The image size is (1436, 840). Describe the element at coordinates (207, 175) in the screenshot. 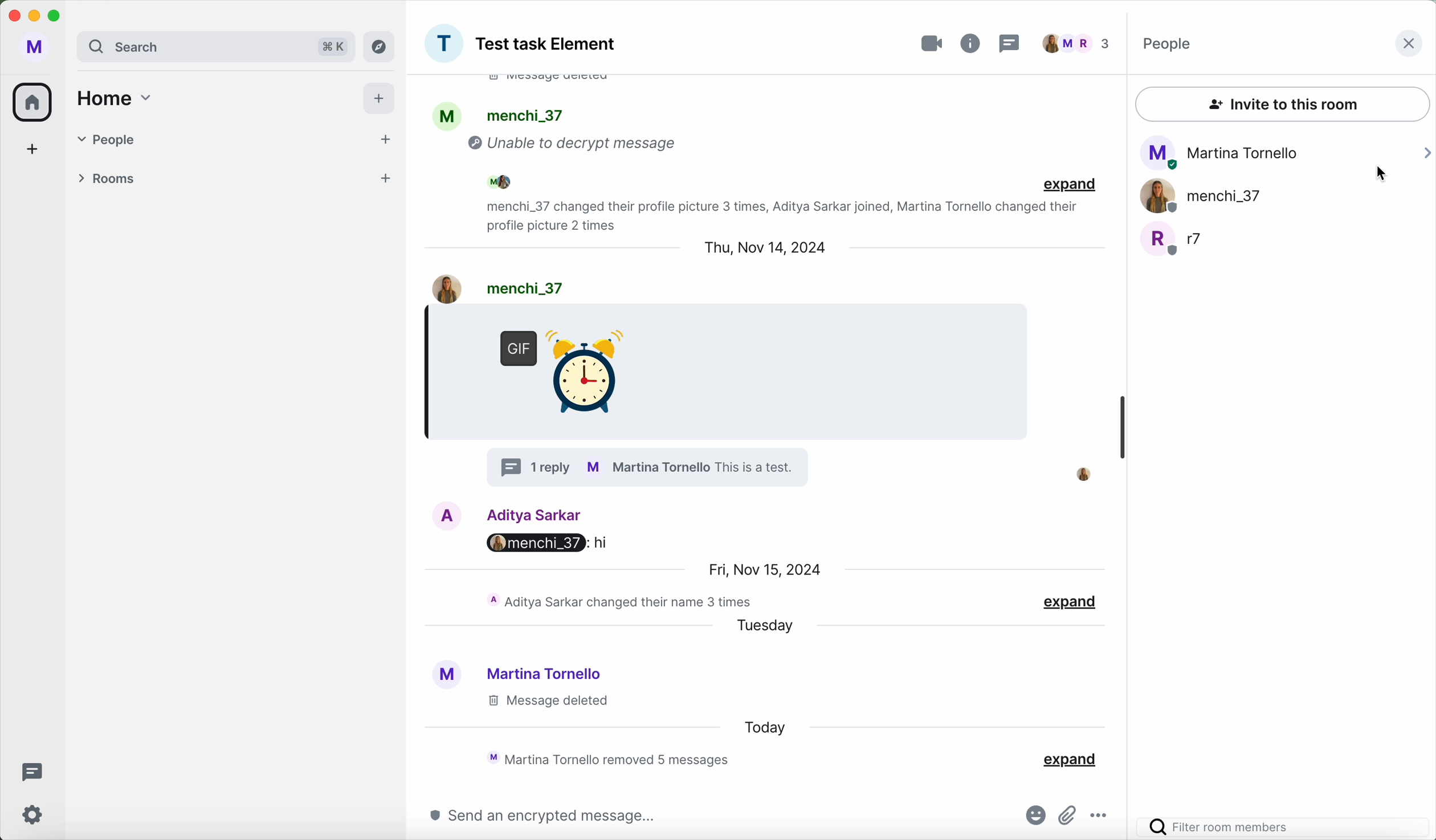

I see `rooms` at that location.